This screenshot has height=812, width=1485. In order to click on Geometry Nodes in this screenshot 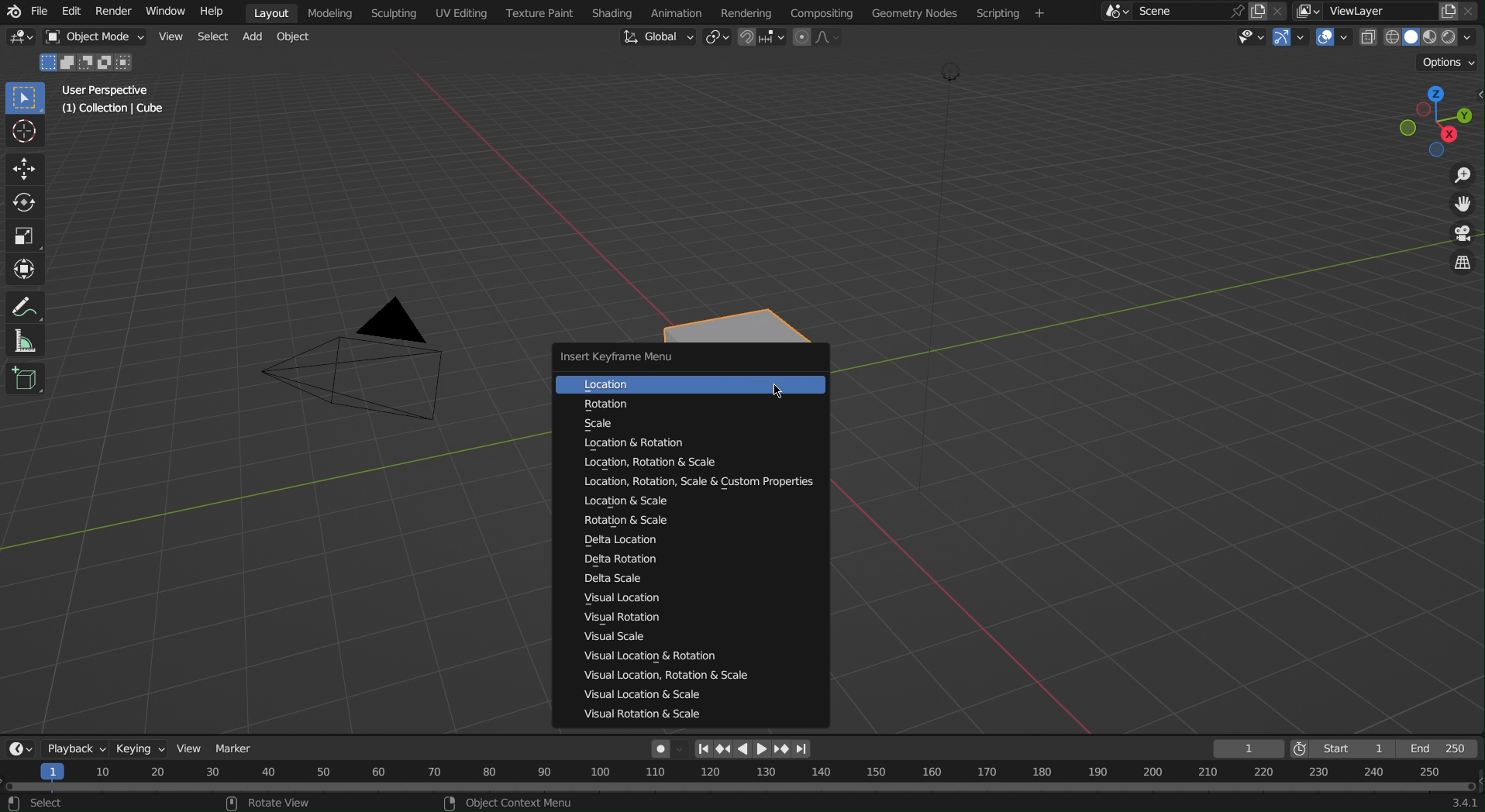, I will do `click(914, 13)`.